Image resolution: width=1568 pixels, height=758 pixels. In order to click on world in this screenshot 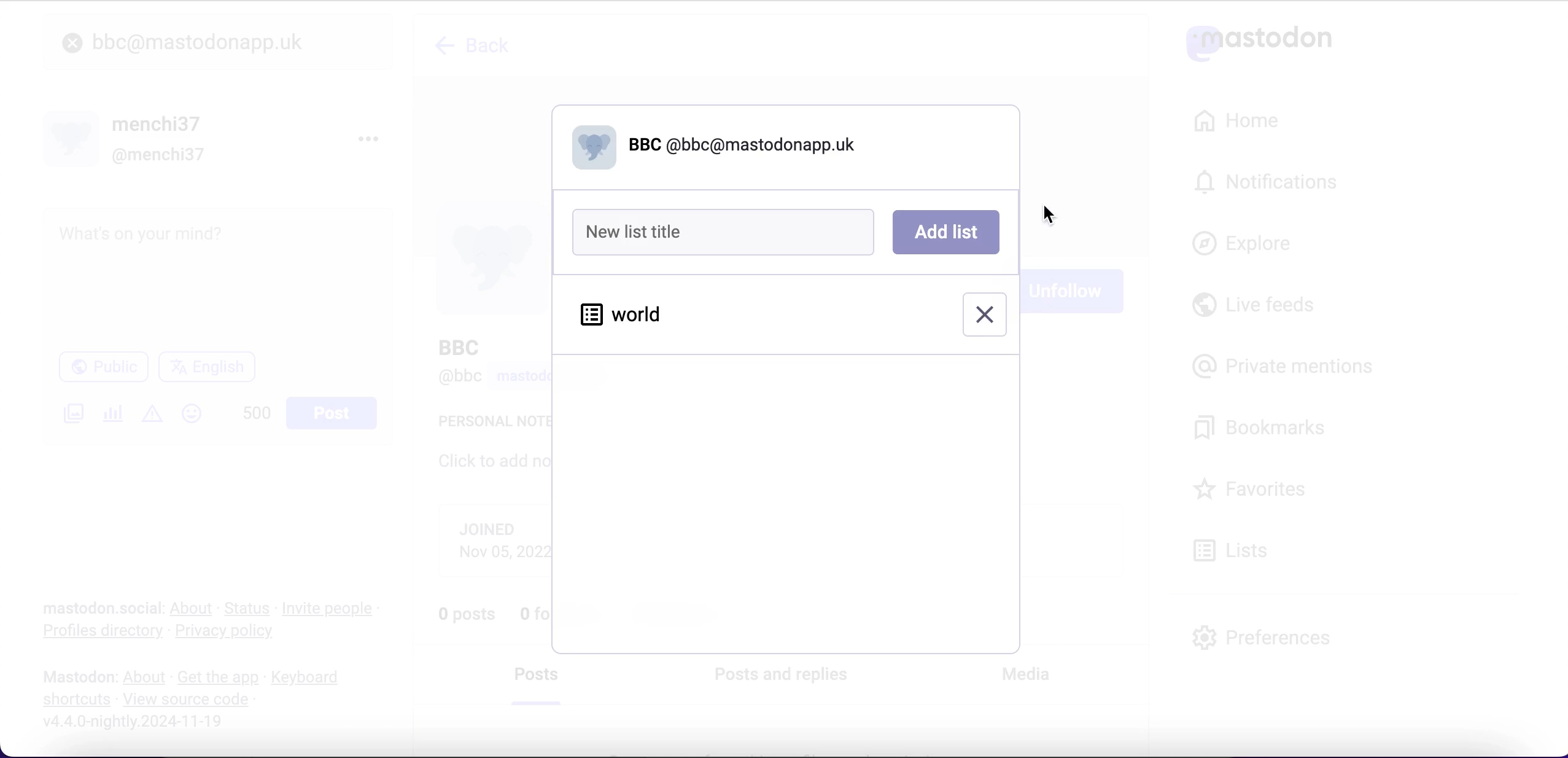, I will do `click(623, 315)`.